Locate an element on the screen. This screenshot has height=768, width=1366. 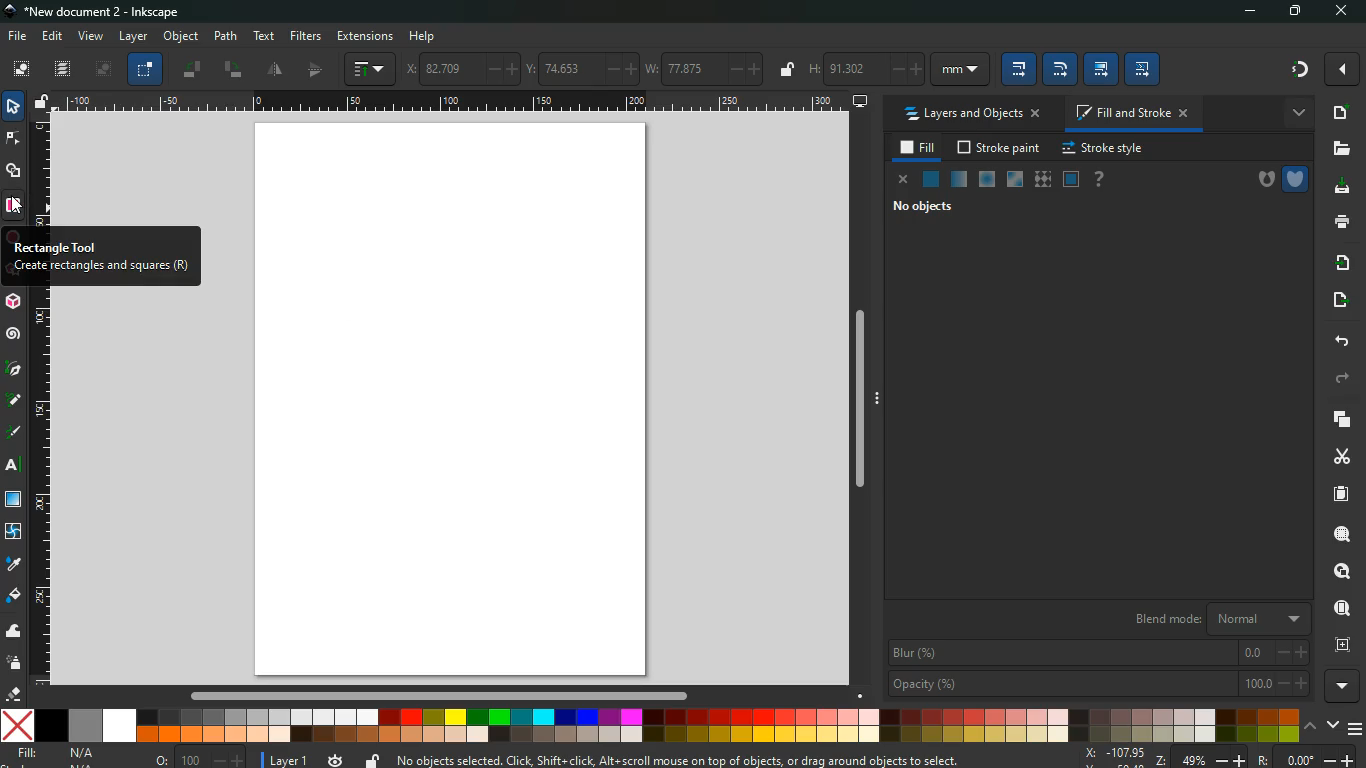
layers is located at coordinates (63, 70).